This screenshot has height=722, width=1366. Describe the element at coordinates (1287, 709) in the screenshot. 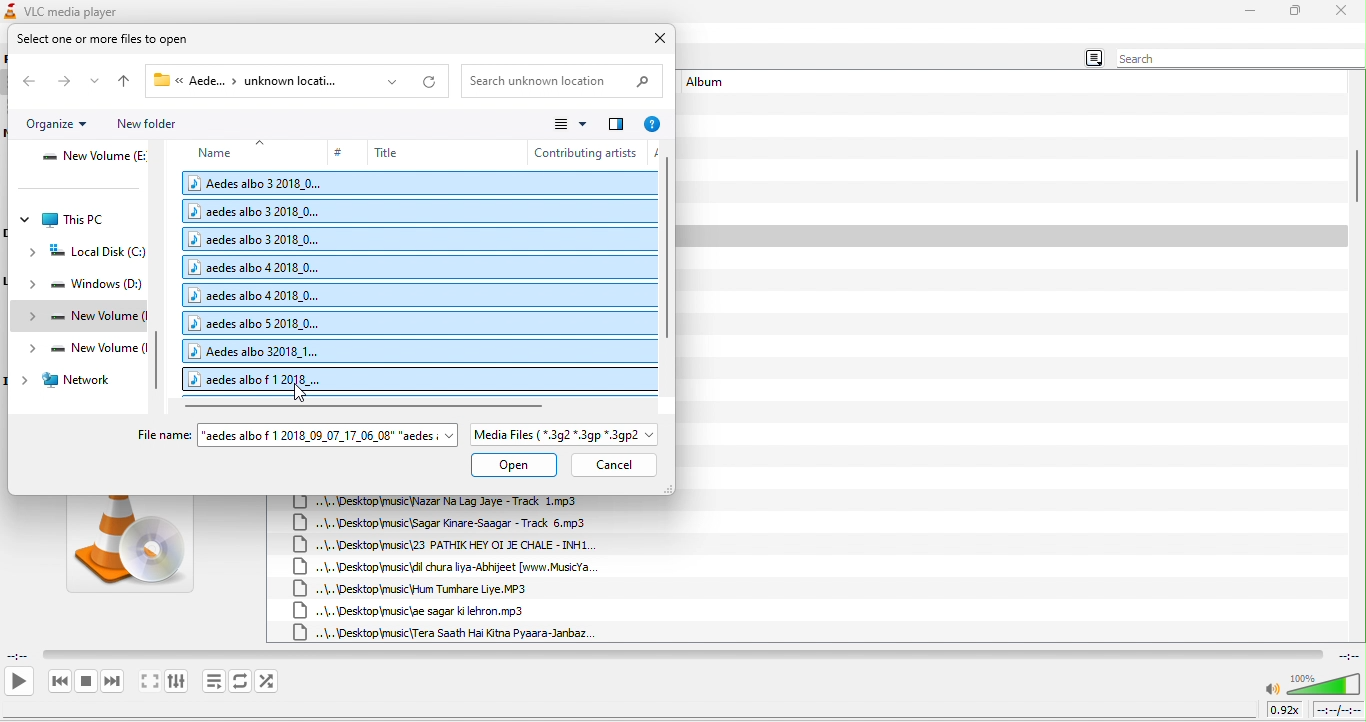

I see `0.92x` at that location.